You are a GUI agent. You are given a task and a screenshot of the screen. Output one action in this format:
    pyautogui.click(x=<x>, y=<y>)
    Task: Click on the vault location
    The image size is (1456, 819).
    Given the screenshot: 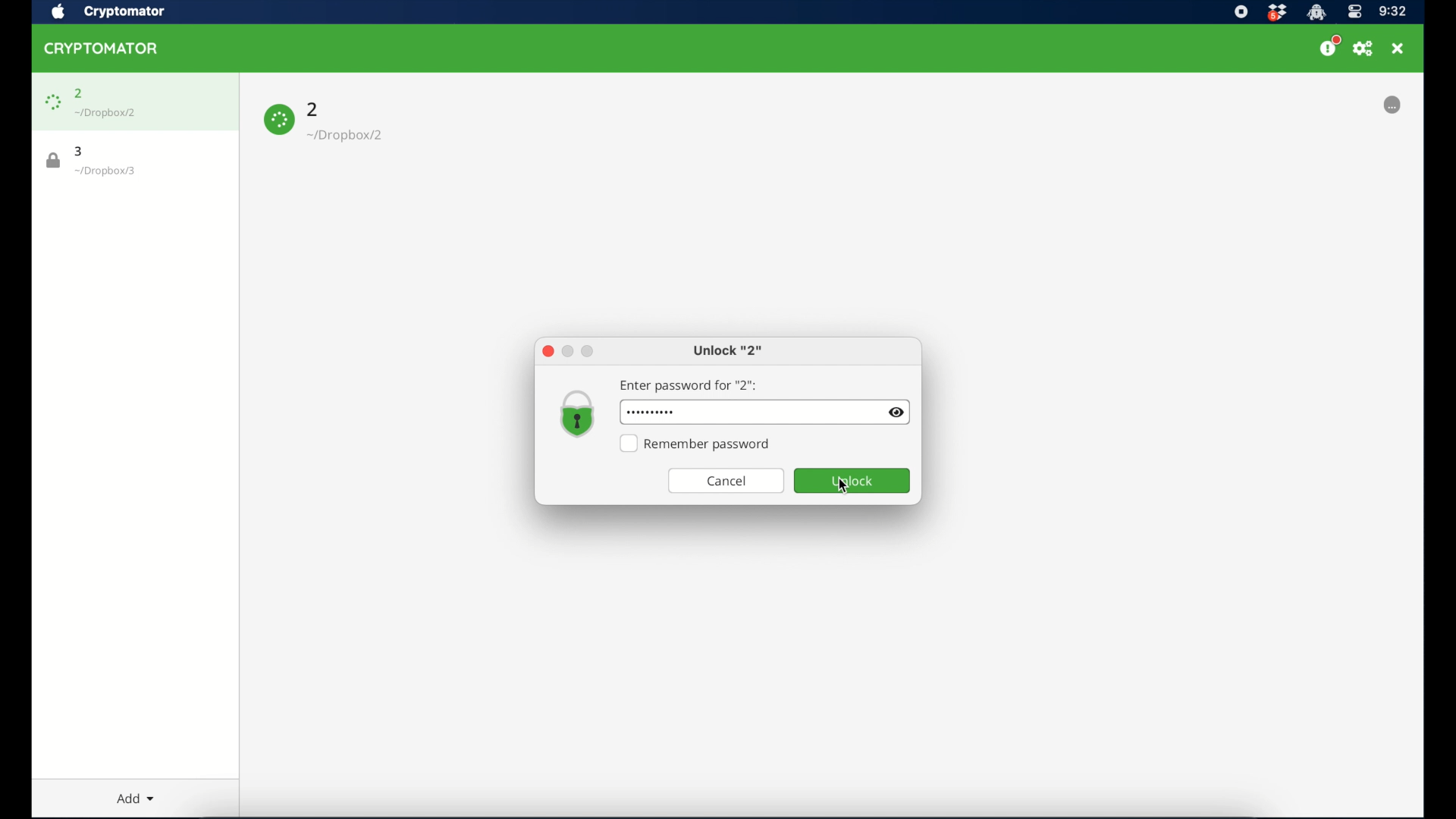 What is the action you would take?
    pyautogui.click(x=106, y=113)
    